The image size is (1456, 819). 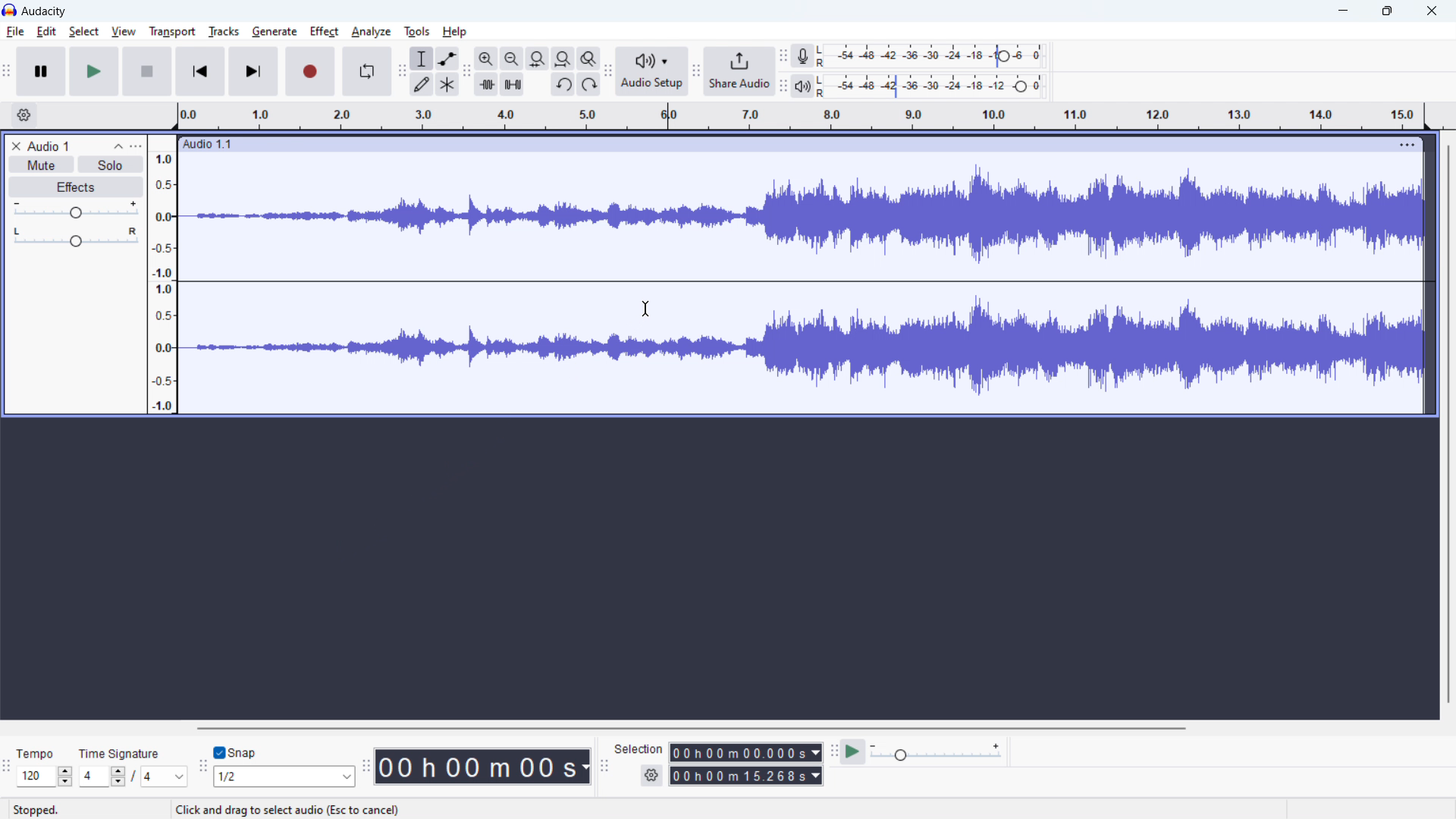 What do you see at coordinates (807, 283) in the screenshot?
I see `waveform` at bounding box center [807, 283].